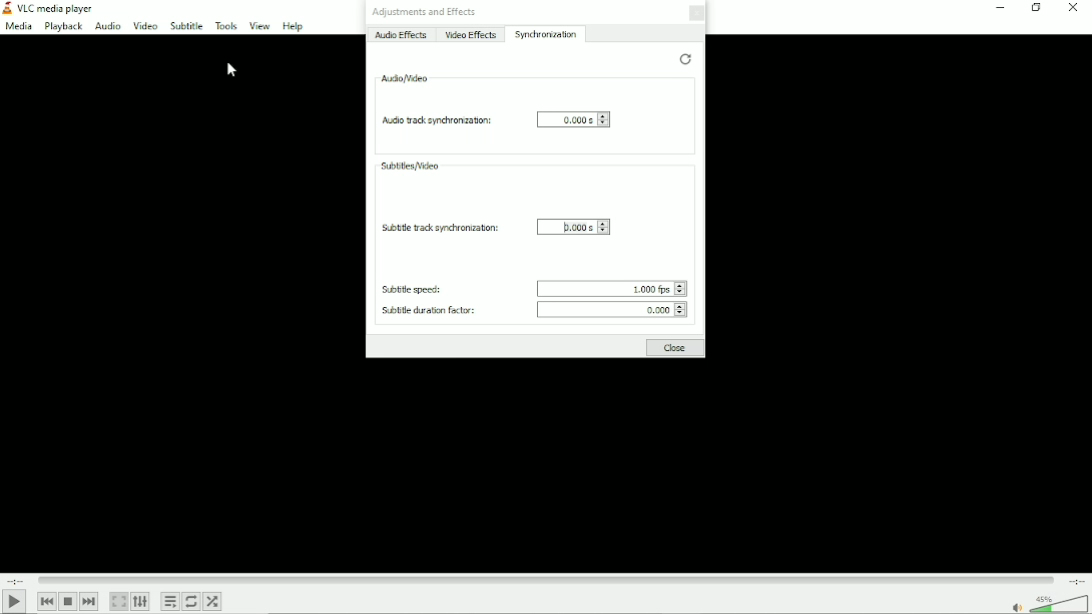 The image size is (1092, 614). Describe the element at coordinates (230, 69) in the screenshot. I see `Cursor` at that location.